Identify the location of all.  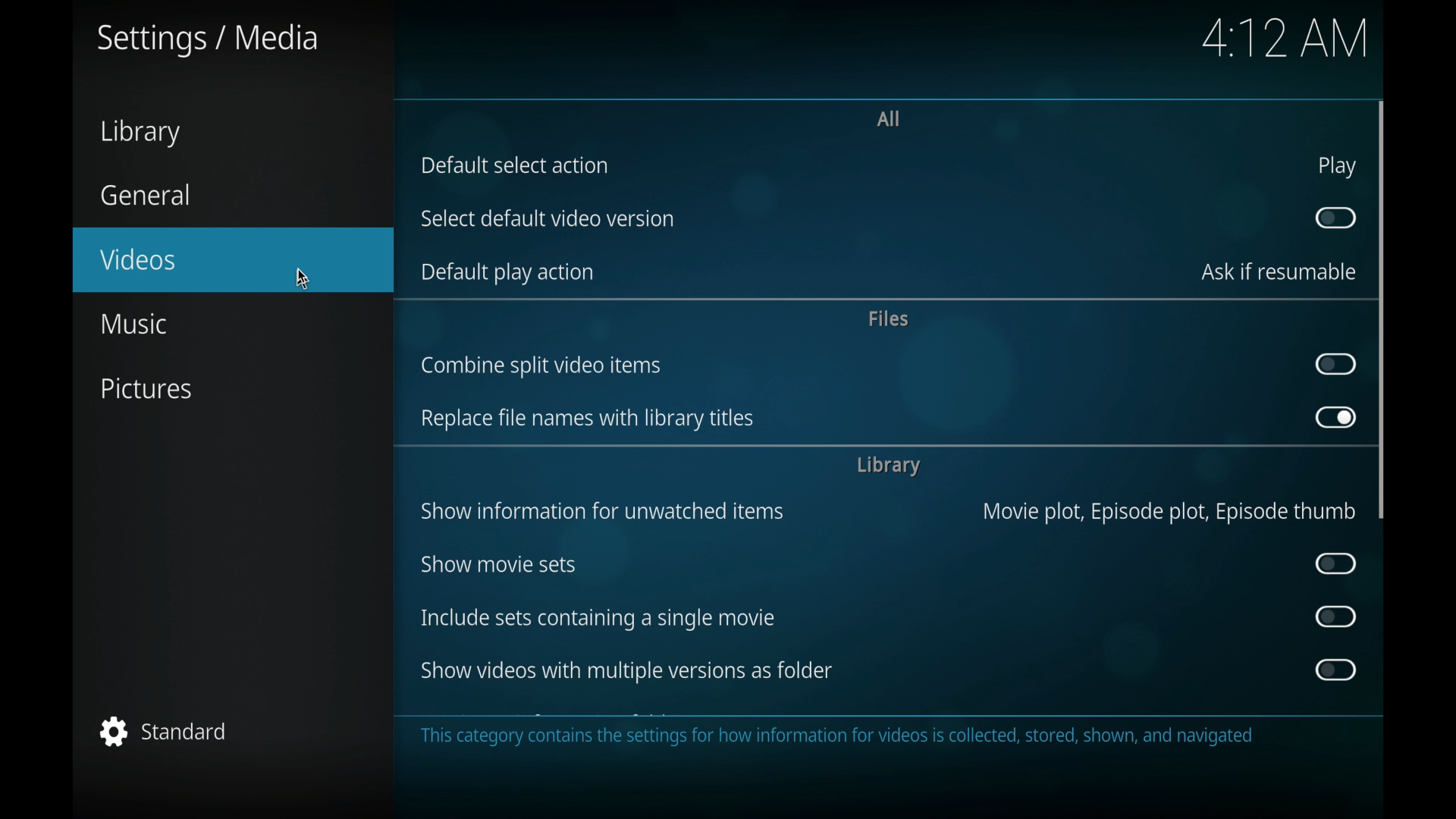
(889, 118).